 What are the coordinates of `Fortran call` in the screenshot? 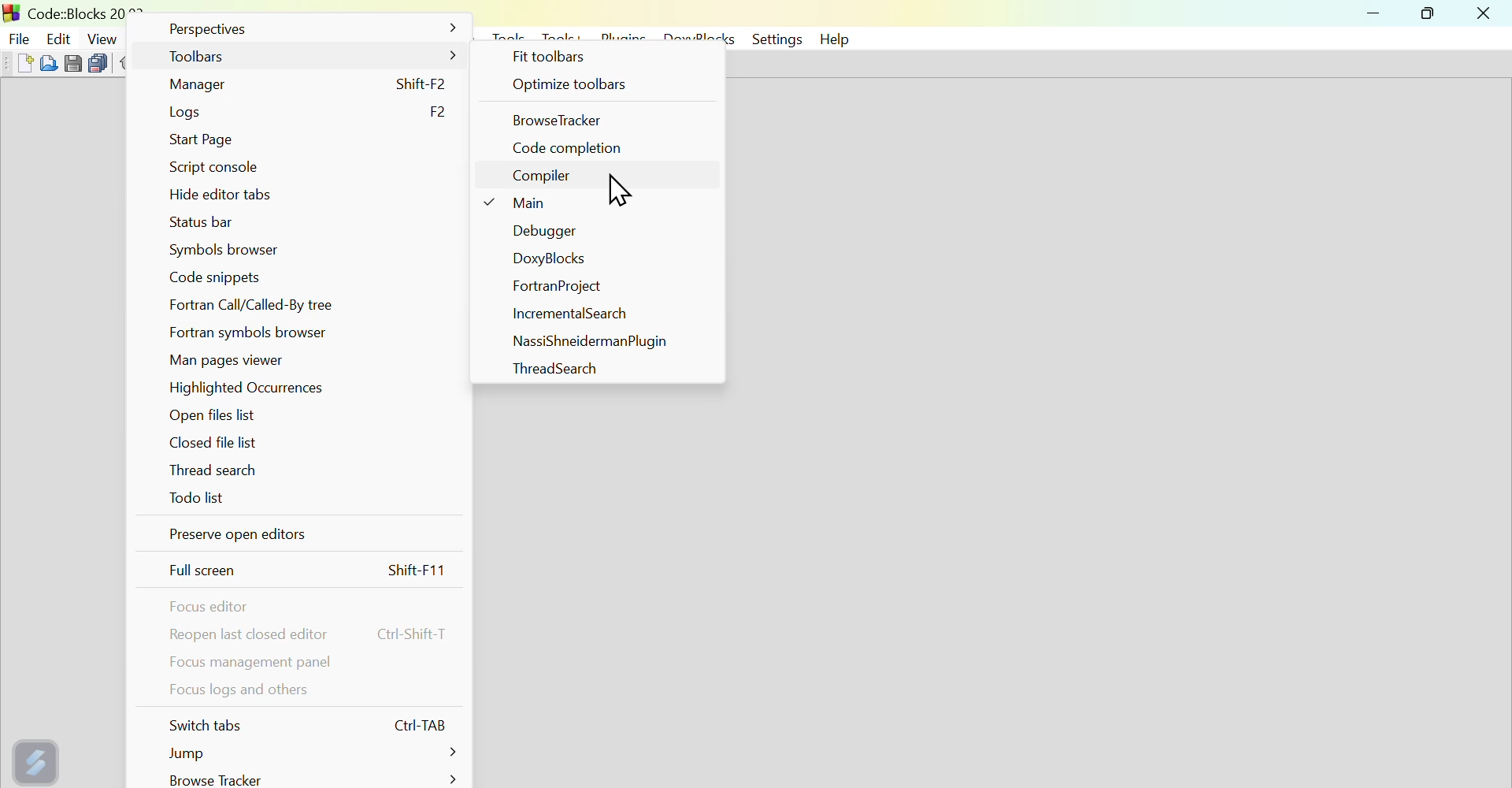 It's located at (263, 305).